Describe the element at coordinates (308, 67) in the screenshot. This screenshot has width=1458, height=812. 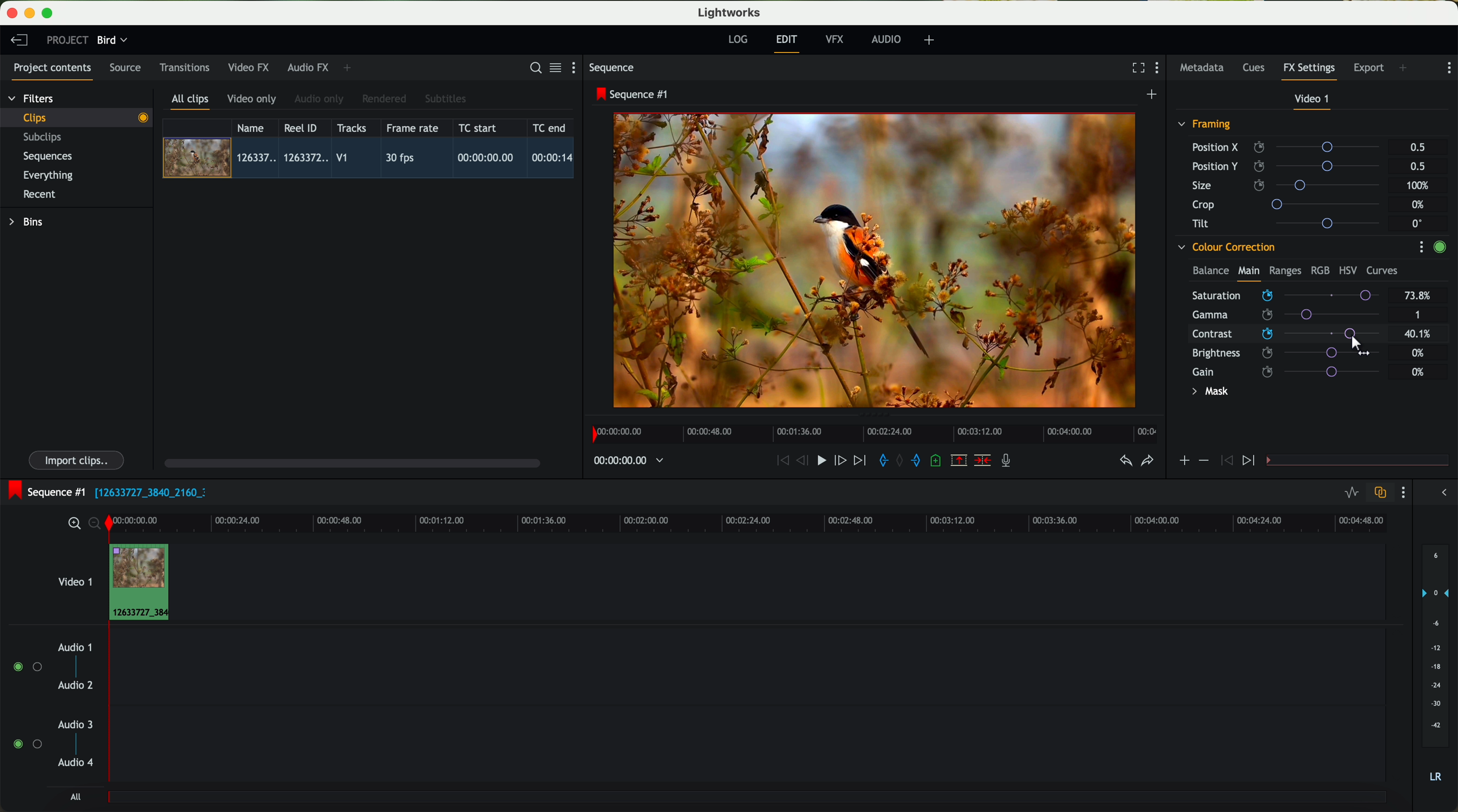
I see `audio FX` at that location.